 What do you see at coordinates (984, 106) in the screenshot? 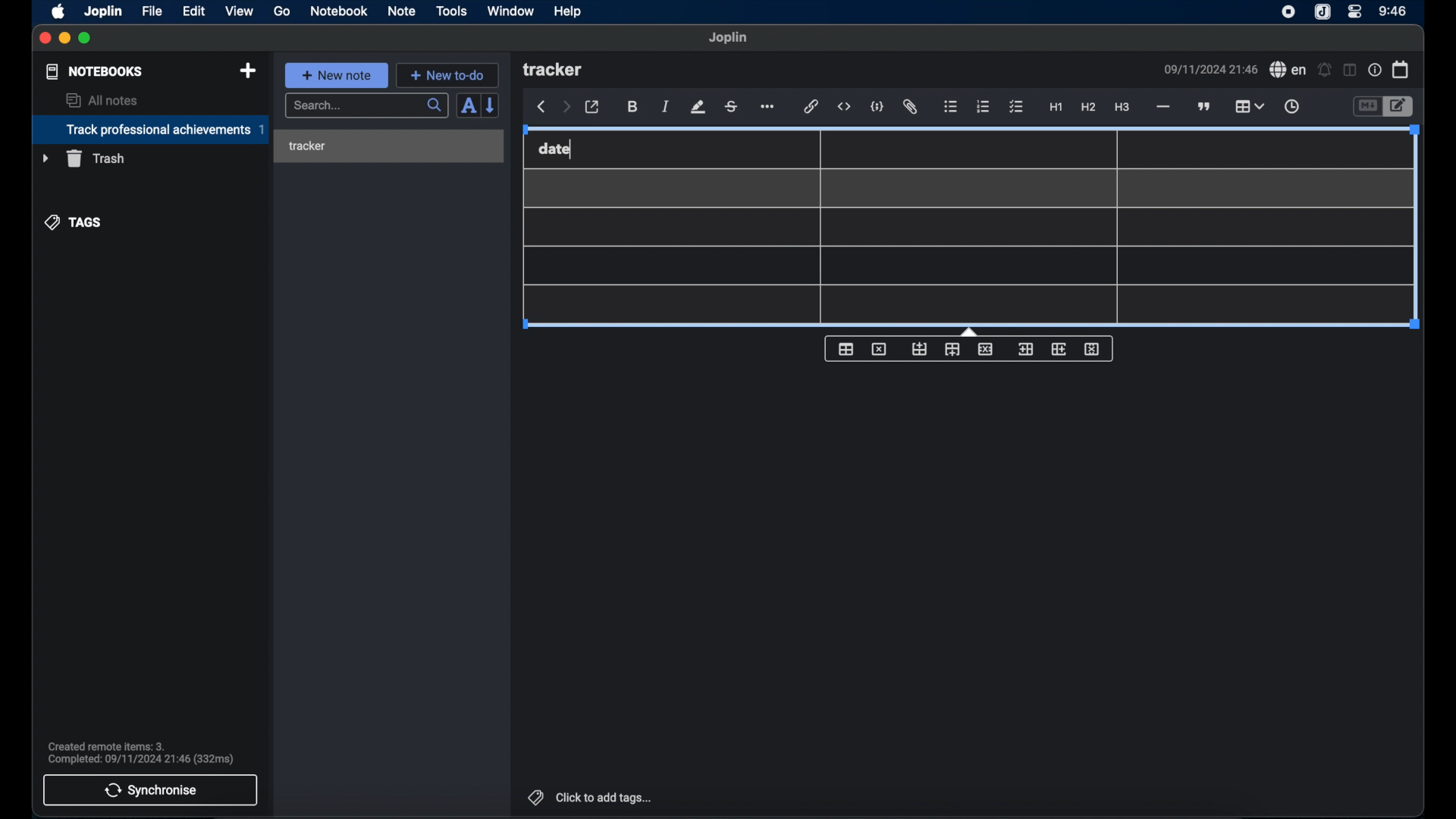
I see `numbered list` at bounding box center [984, 106].